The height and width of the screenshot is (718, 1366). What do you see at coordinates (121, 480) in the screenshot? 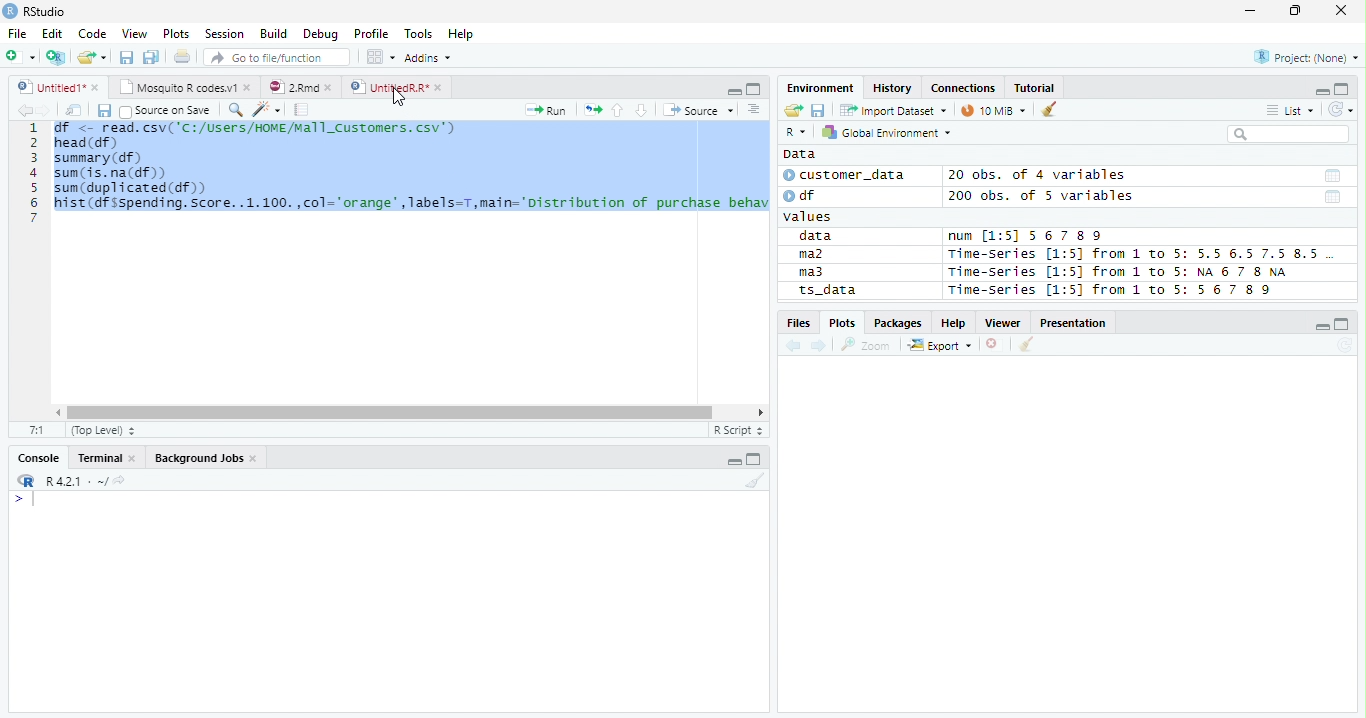
I see `View Current work directory` at bounding box center [121, 480].